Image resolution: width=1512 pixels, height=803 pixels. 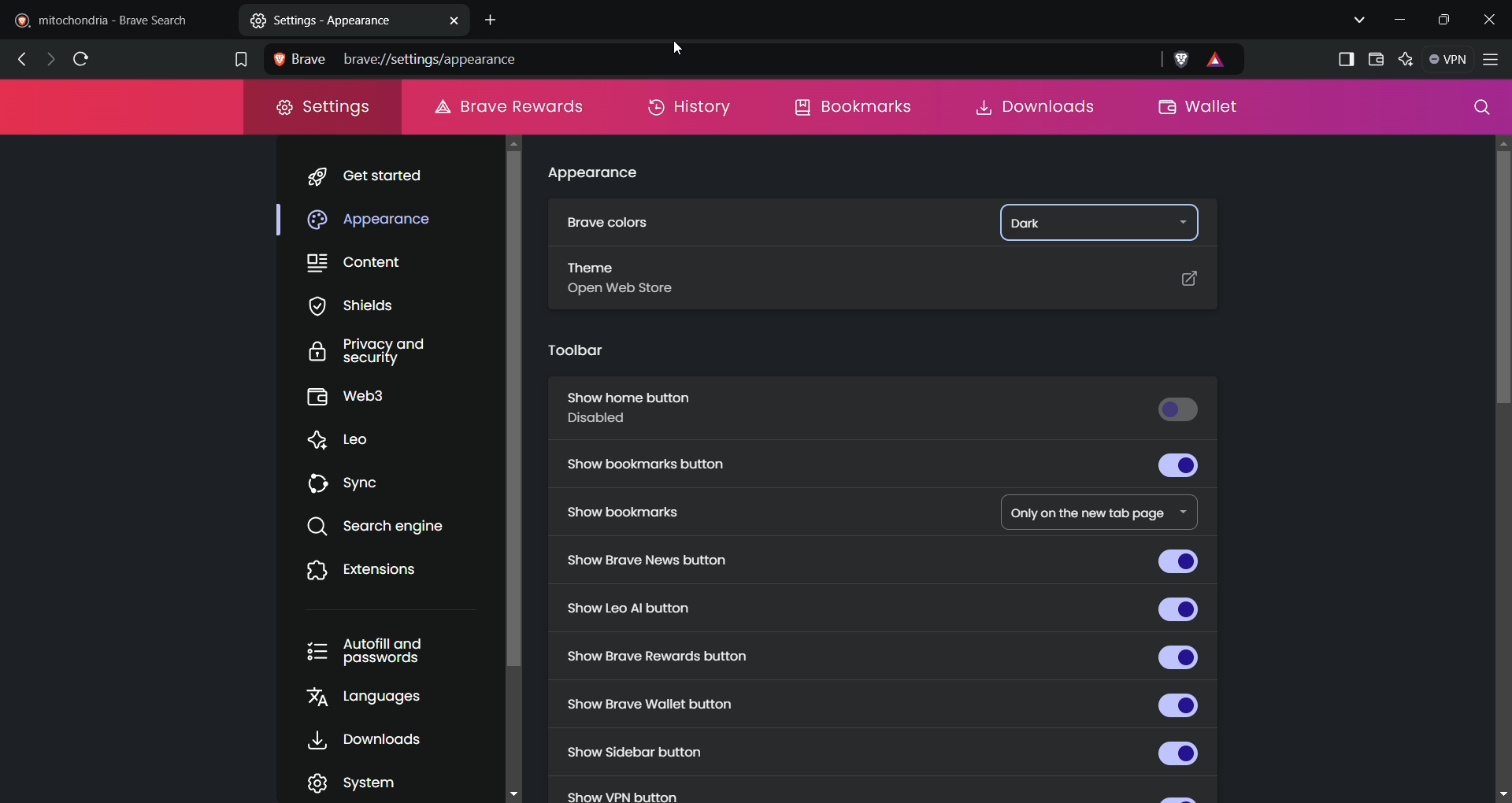 I want to click on system, so click(x=363, y=781).